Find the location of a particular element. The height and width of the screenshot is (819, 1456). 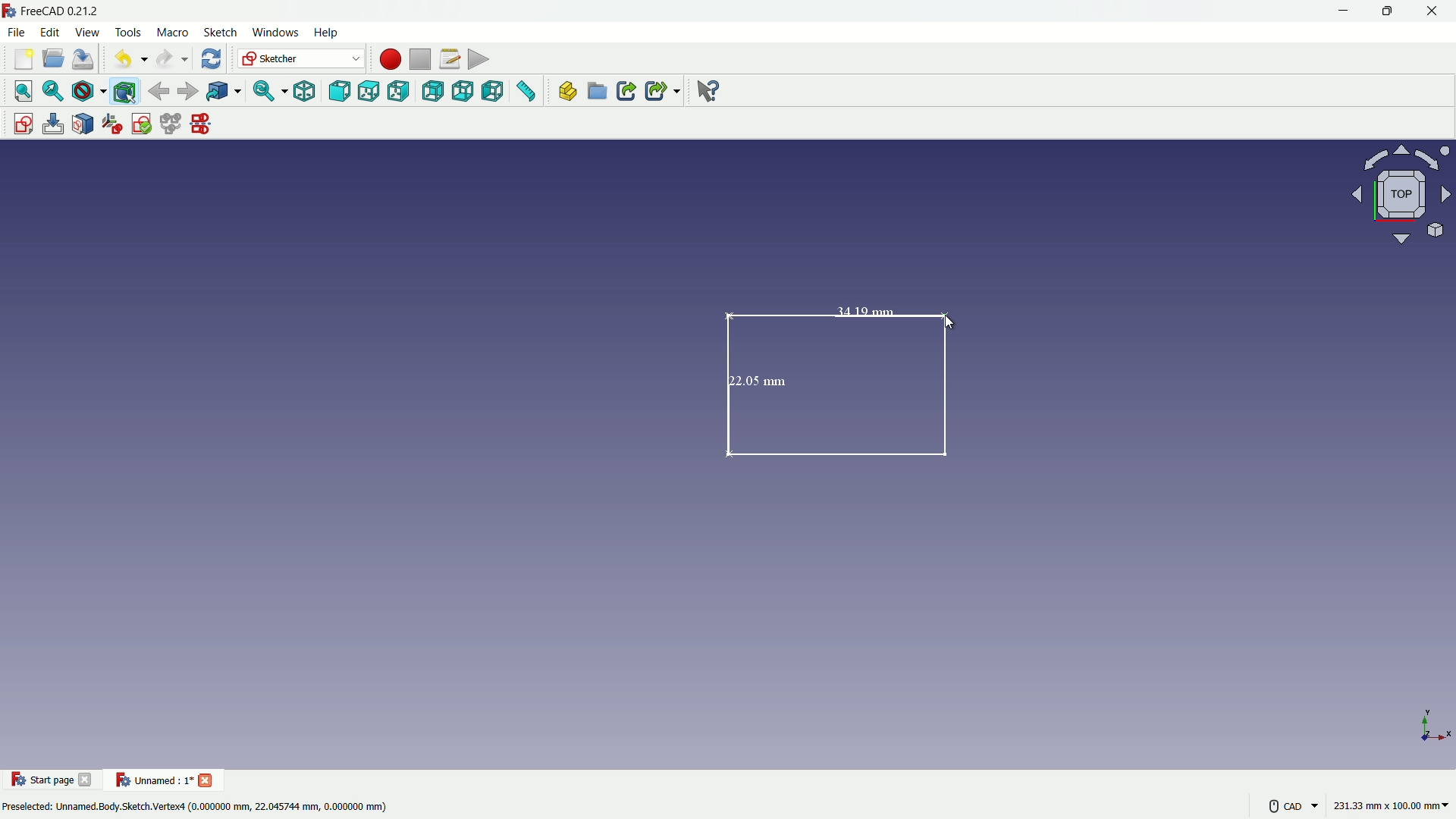

execute macros is located at coordinates (479, 61).